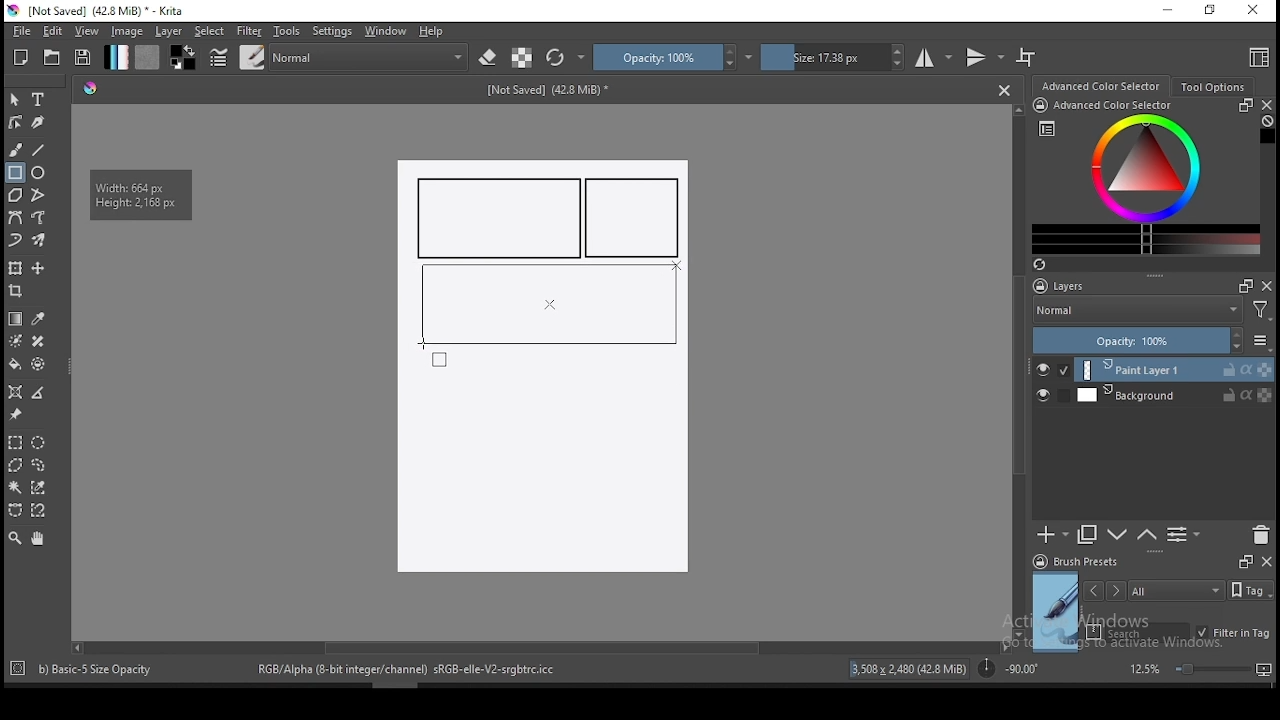  I want to click on tool options, so click(1214, 87).